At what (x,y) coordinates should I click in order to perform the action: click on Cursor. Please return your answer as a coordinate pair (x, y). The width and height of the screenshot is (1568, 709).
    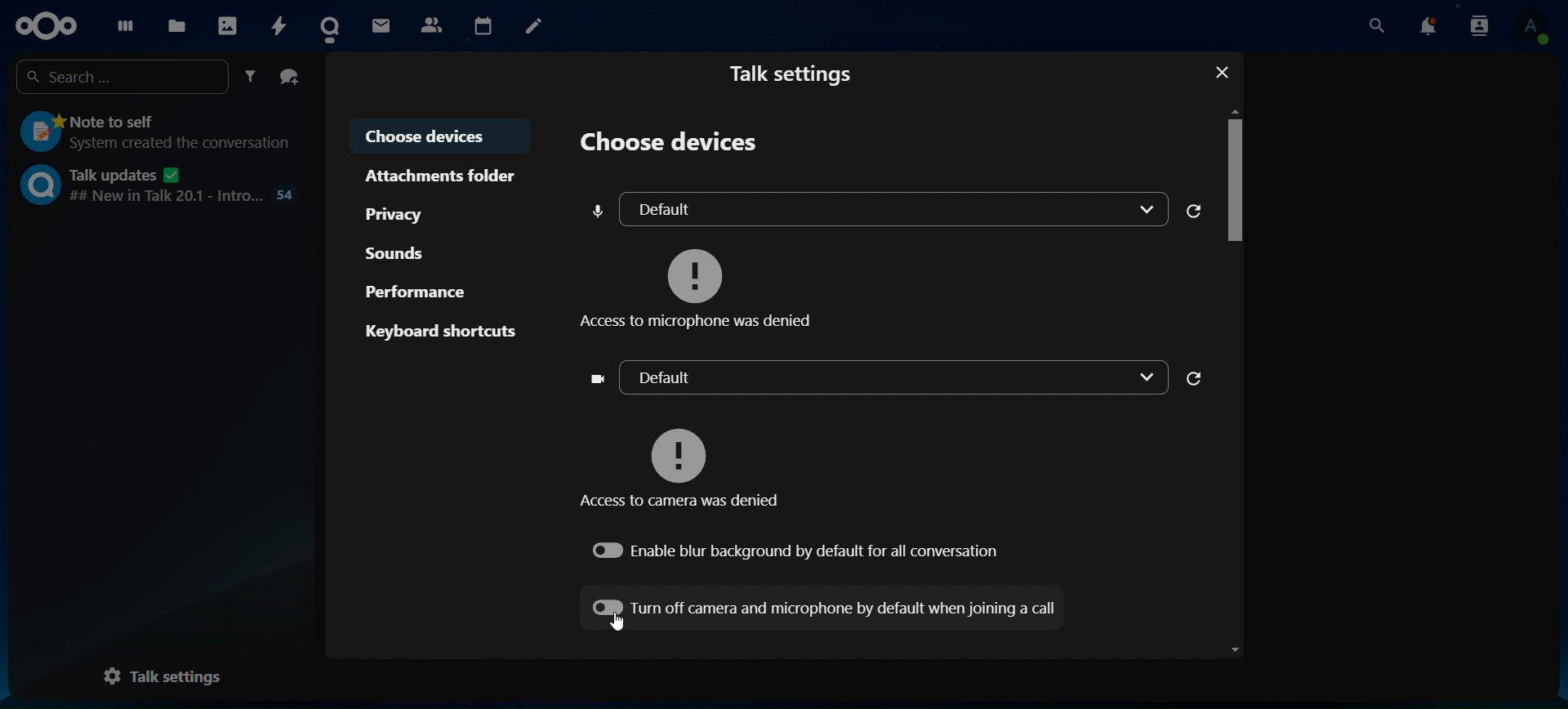
    Looking at the image, I should click on (618, 624).